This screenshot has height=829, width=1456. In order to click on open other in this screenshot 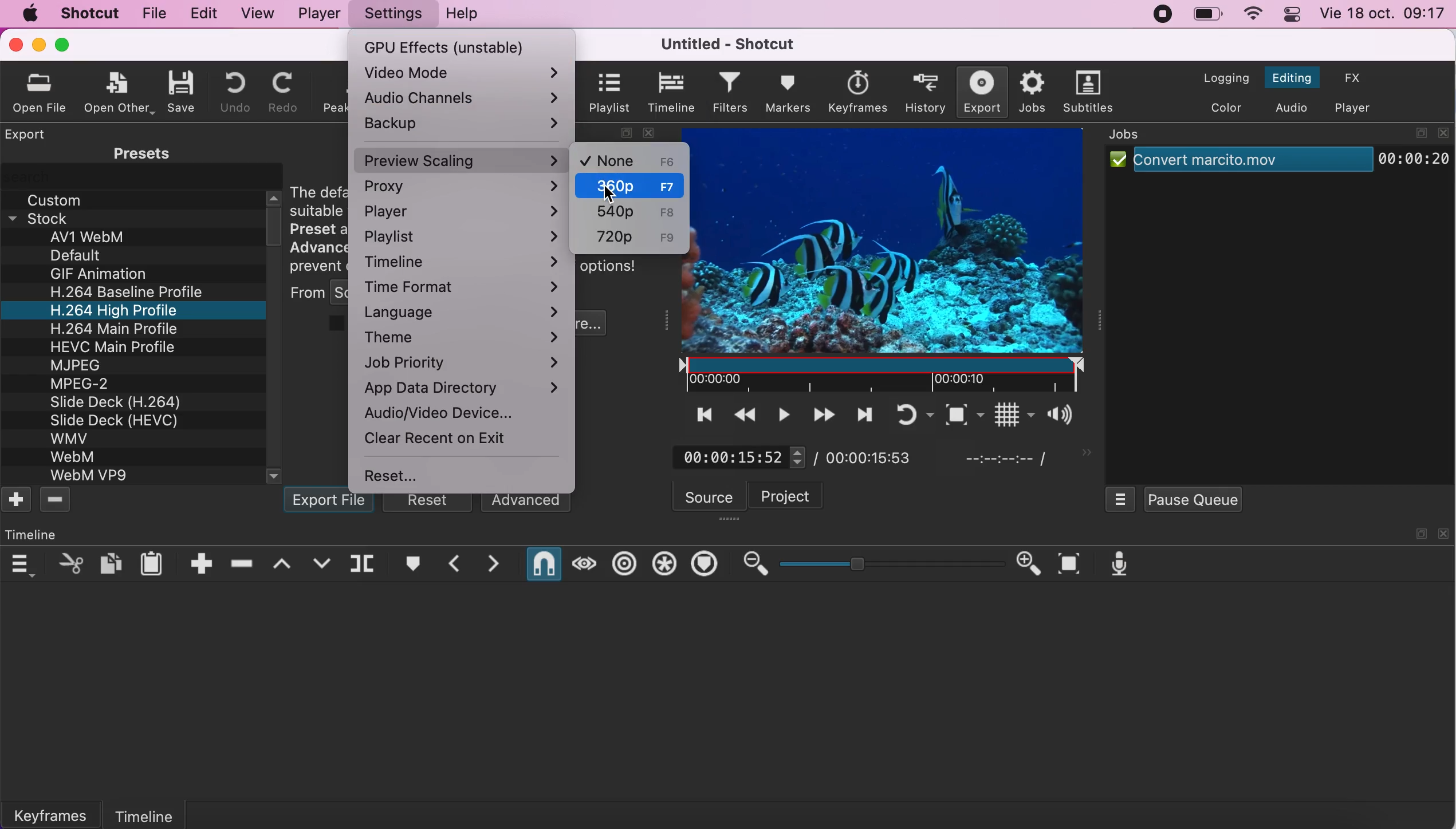, I will do `click(121, 91)`.